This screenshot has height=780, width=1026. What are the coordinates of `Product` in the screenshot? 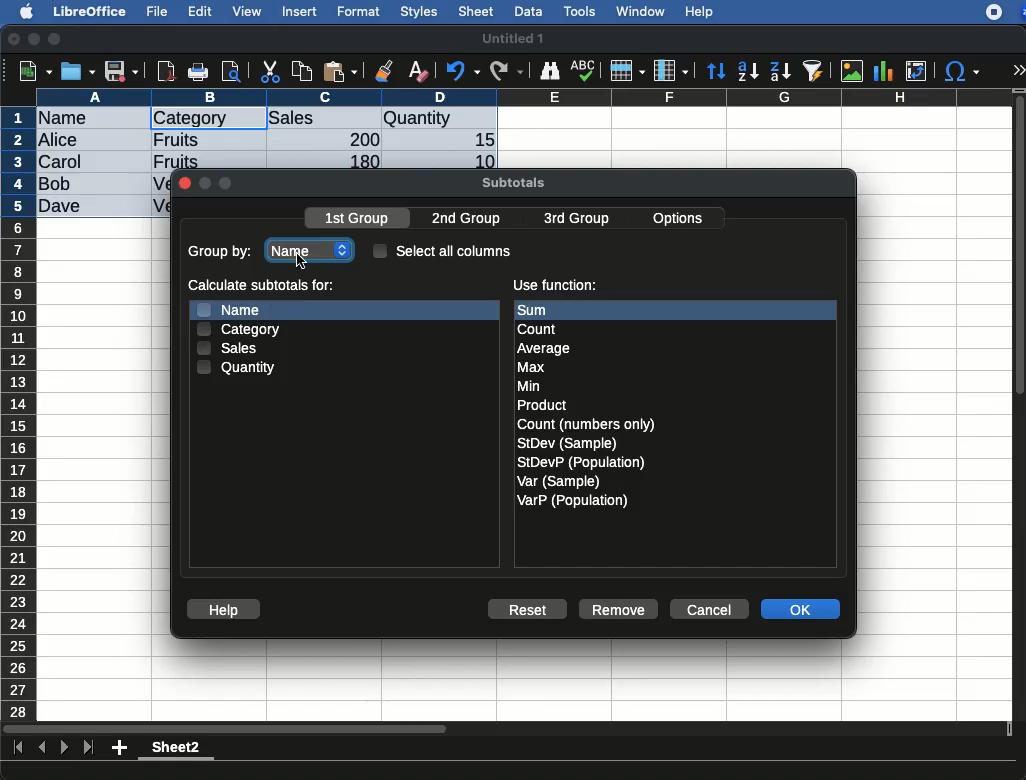 It's located at (541, 406).